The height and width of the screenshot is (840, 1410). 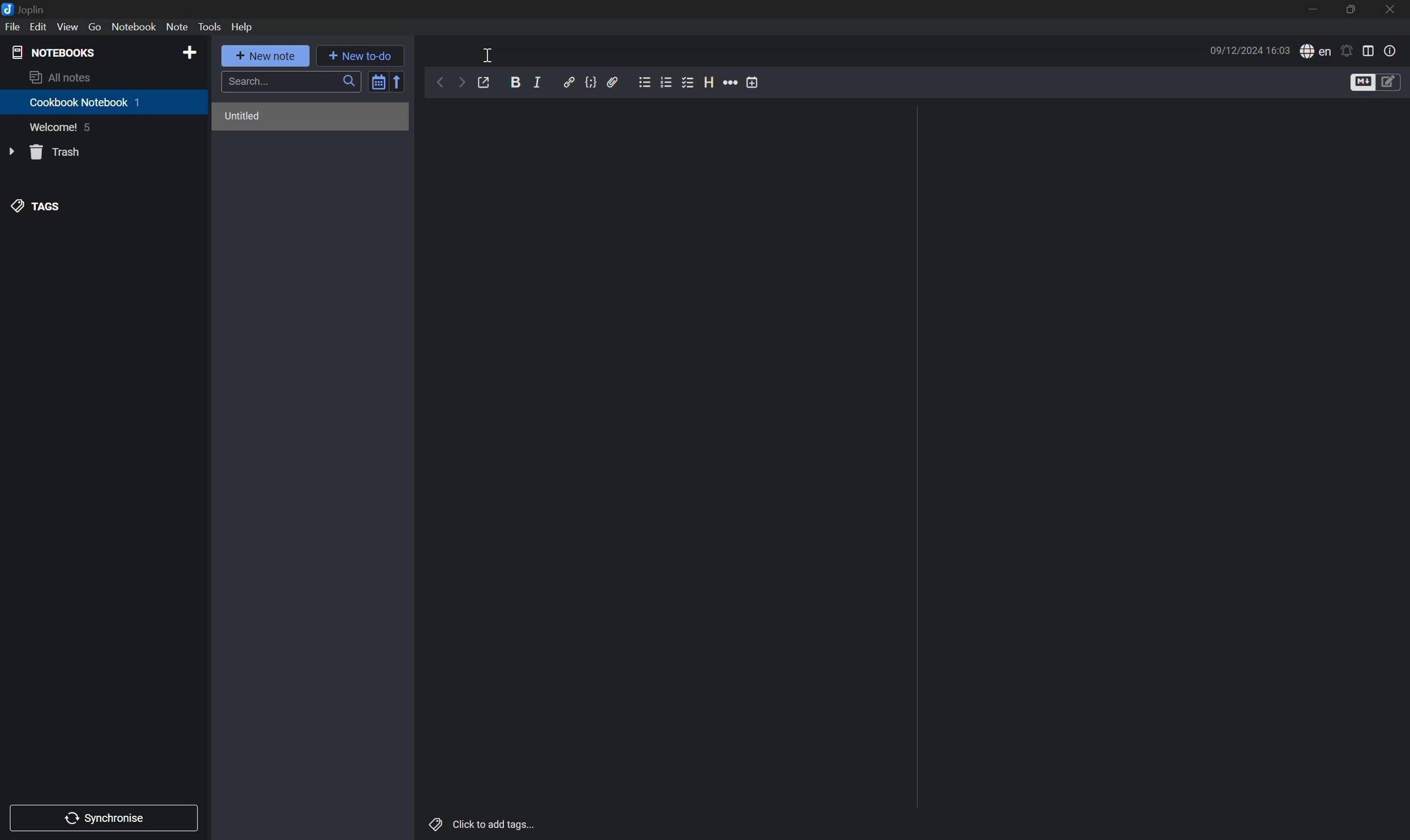 What do you see at coordinates (243, 28) in the screenshot?
I see `Help` at bounding box center [243, 28].